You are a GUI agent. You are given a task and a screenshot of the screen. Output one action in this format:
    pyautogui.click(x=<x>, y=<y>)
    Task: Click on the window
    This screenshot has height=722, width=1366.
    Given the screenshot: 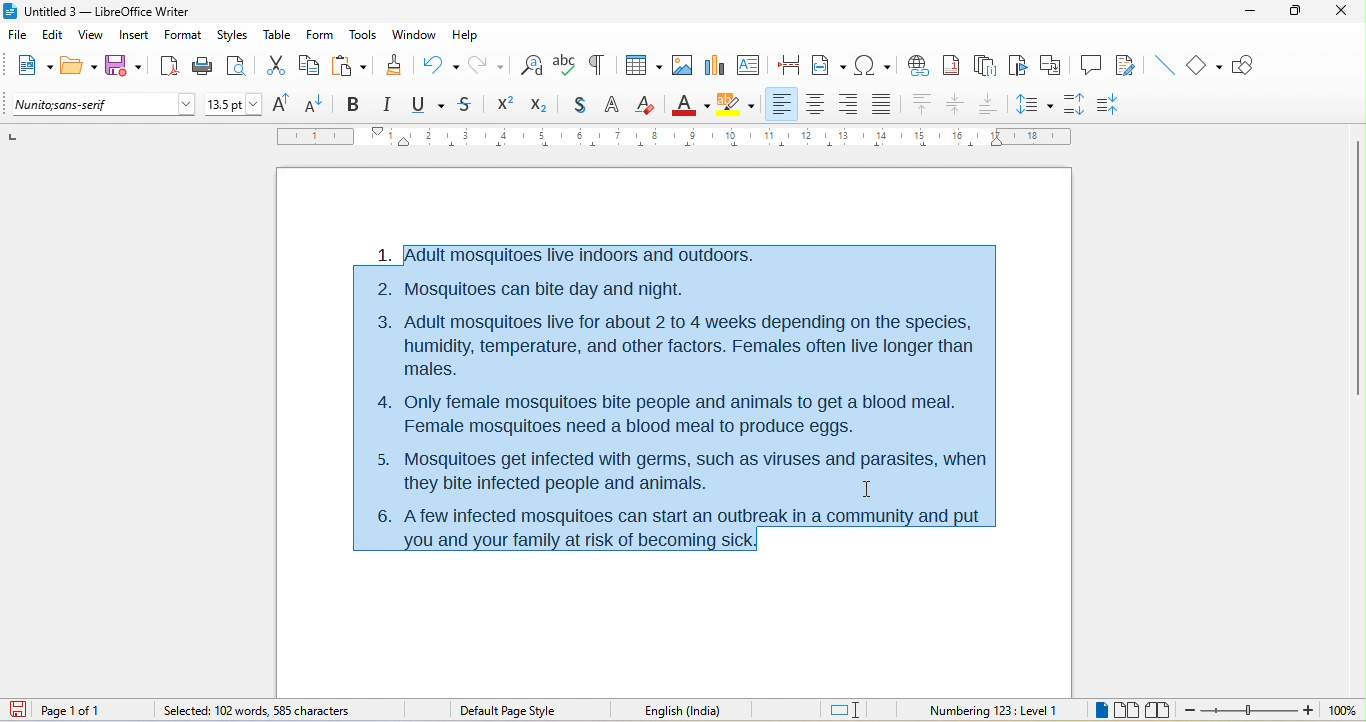 What is the action you would take?
    pyautogui.click(x=413, y=37)
    